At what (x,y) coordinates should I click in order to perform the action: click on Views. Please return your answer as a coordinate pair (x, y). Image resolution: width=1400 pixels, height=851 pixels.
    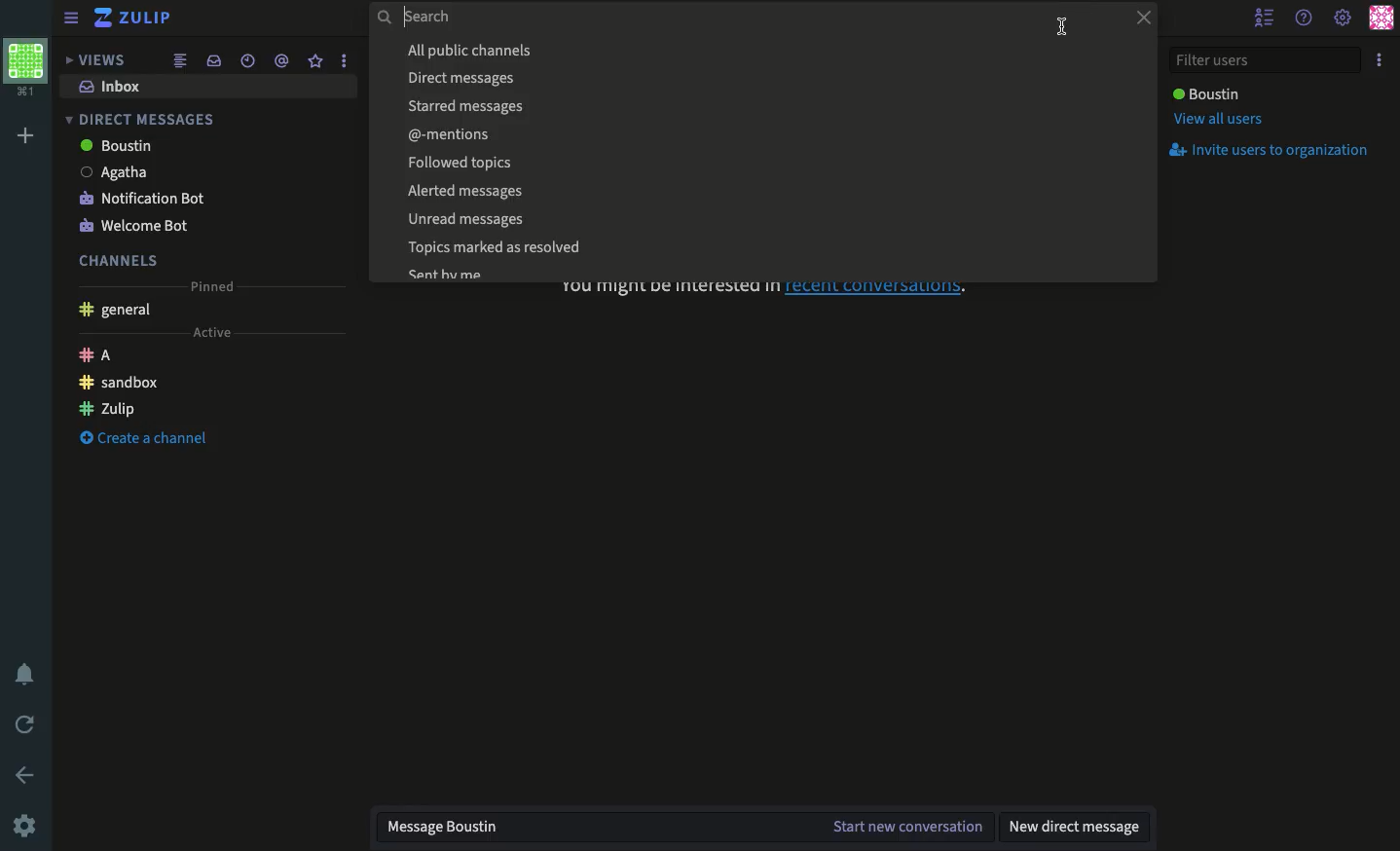
    Looking at the image, I should click on (93, 60).